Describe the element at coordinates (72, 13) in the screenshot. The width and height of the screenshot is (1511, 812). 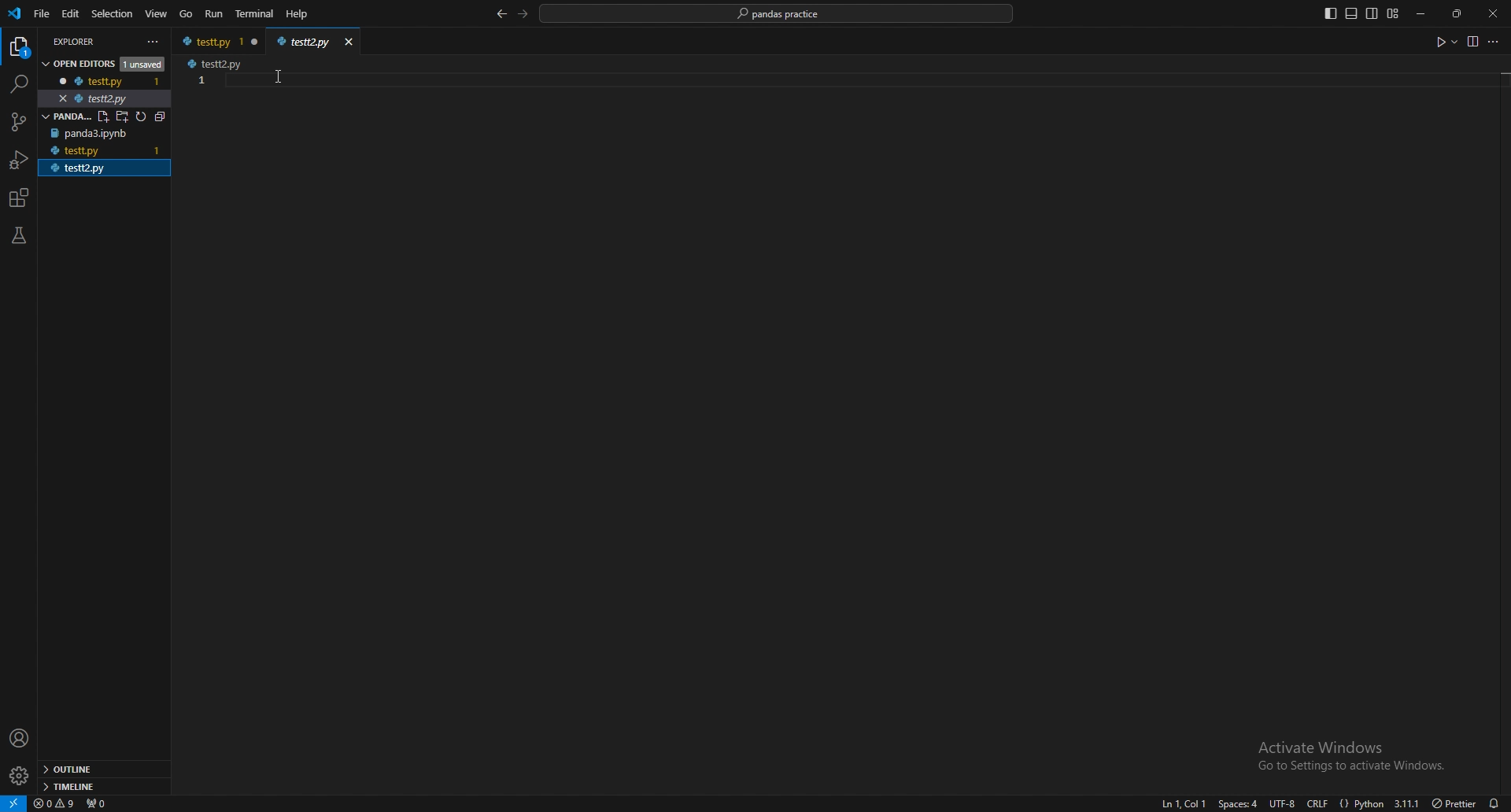
I see `edit` at that location.